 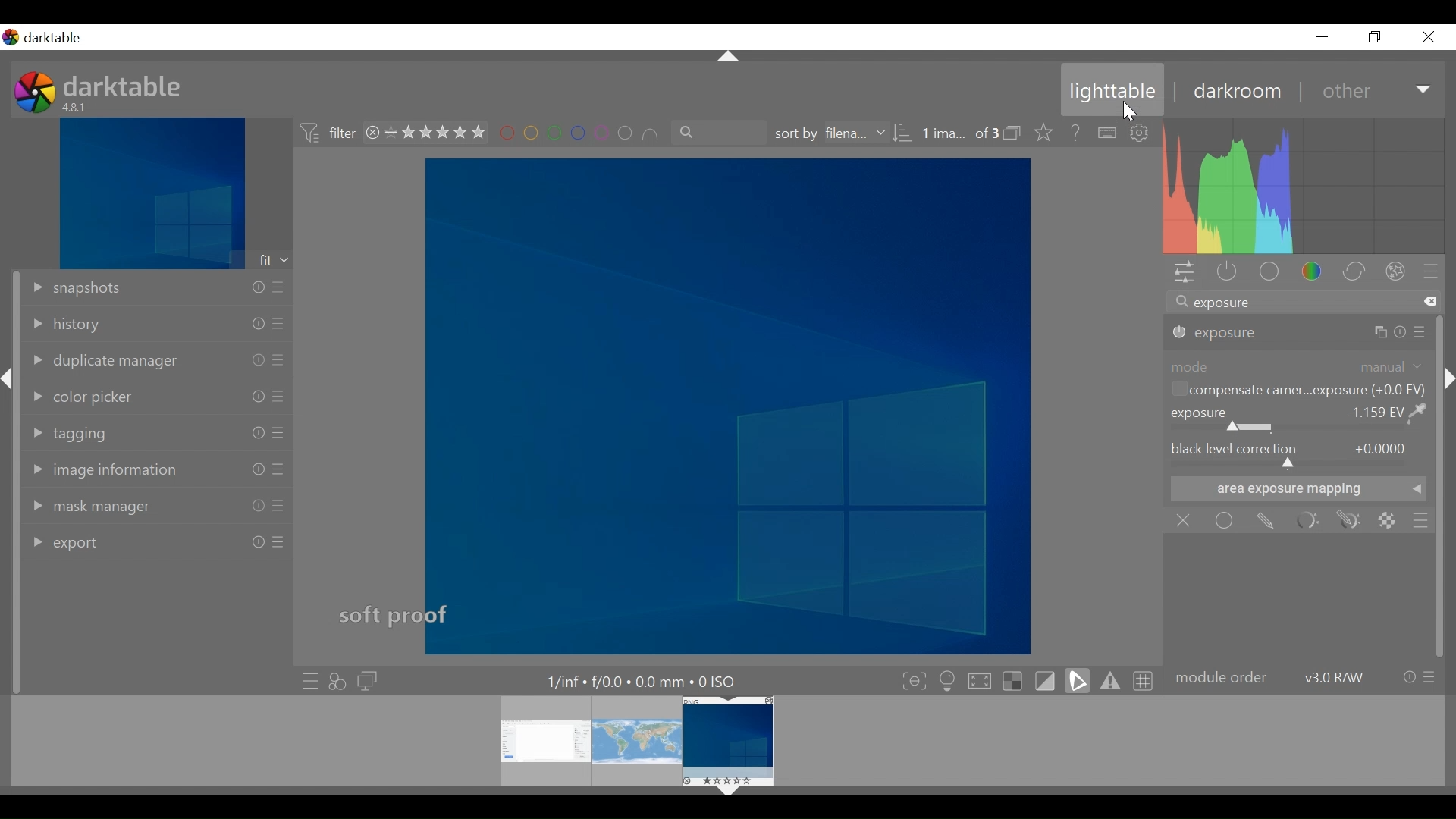 I want to click on quick access to presets, so click(x=306, y=680).